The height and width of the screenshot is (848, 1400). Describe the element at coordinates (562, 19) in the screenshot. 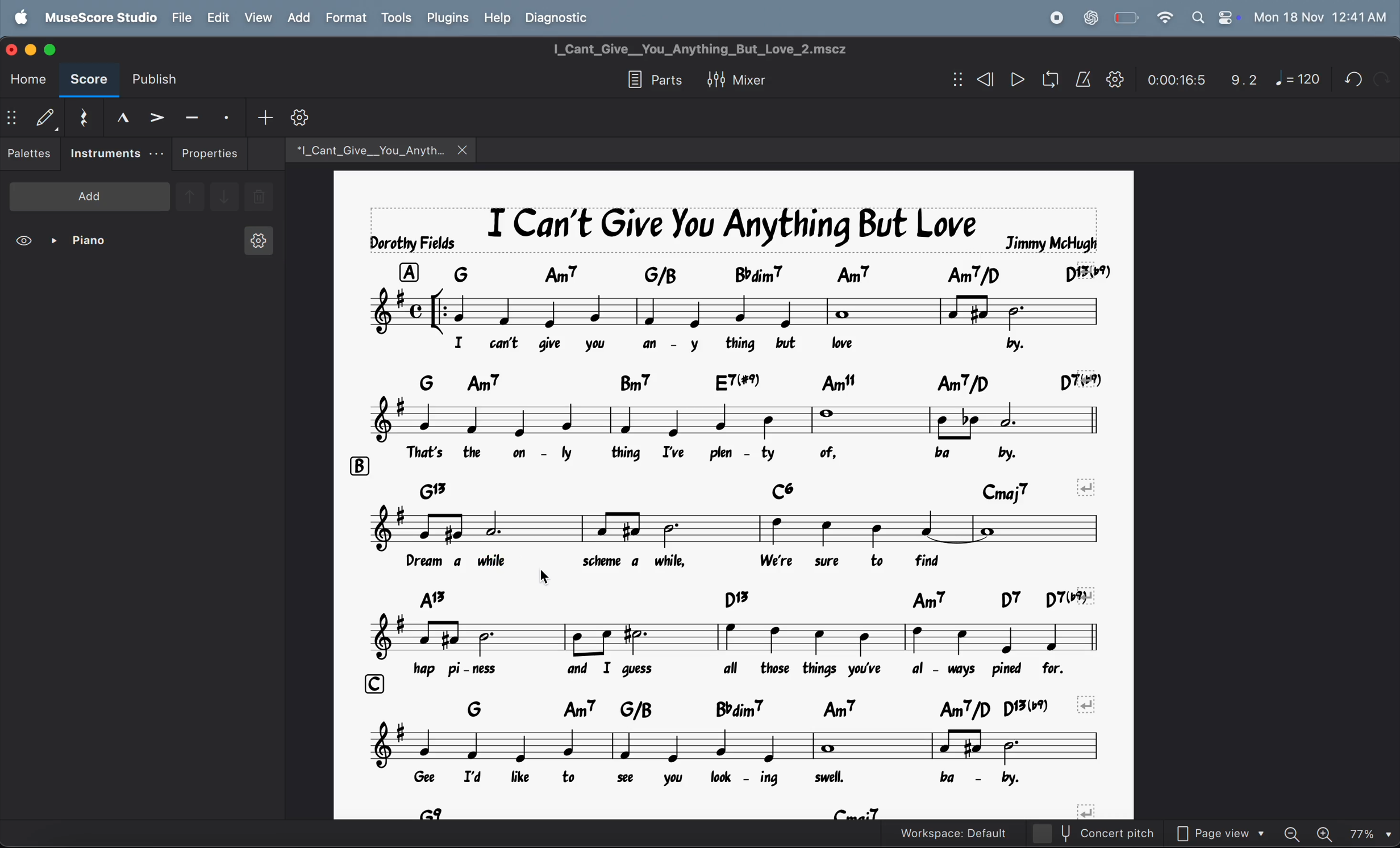

I see `diagnostic` at that location.